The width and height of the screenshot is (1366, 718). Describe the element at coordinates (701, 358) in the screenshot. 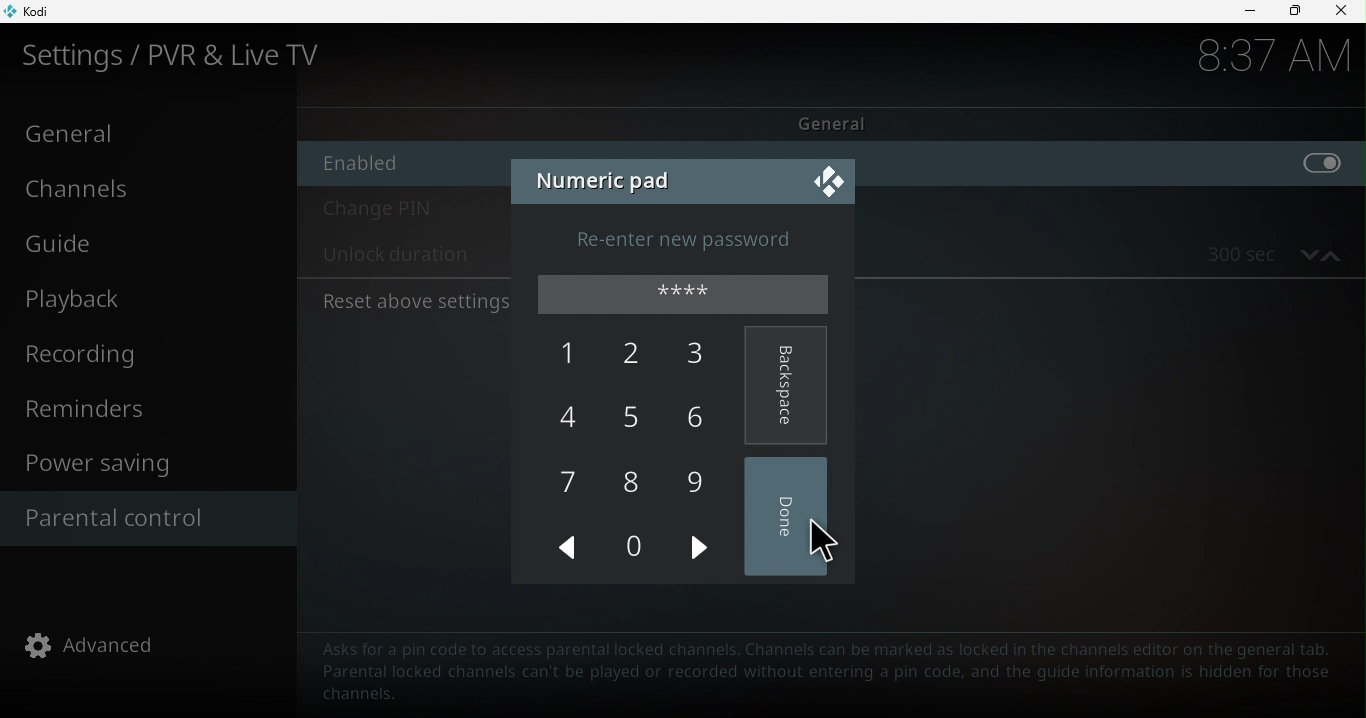

I see `3` at that location.